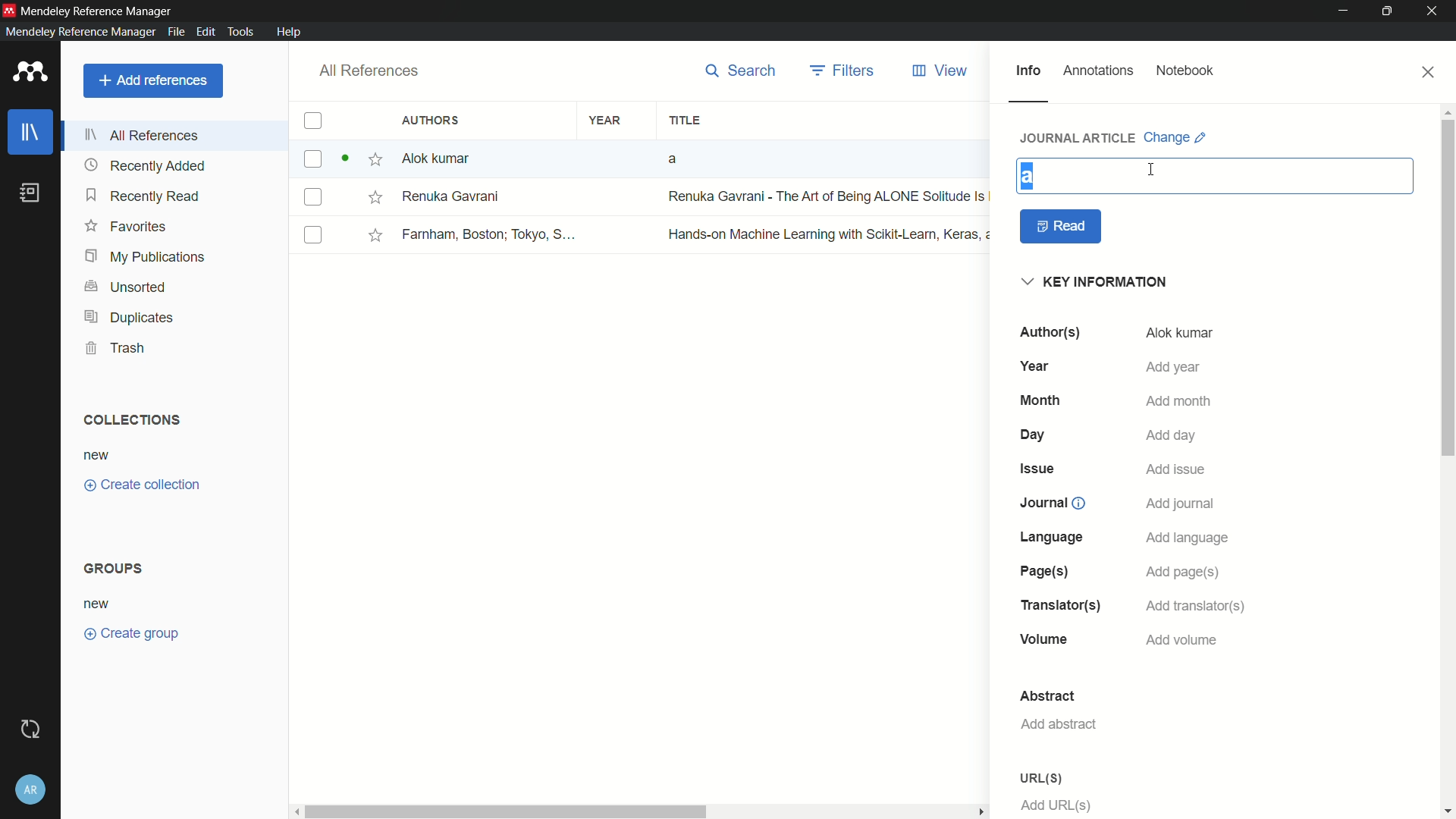  What do you see at coordinates (1062, 227) in the screenshot?
I see `read` at bounding box center [1062, 227].